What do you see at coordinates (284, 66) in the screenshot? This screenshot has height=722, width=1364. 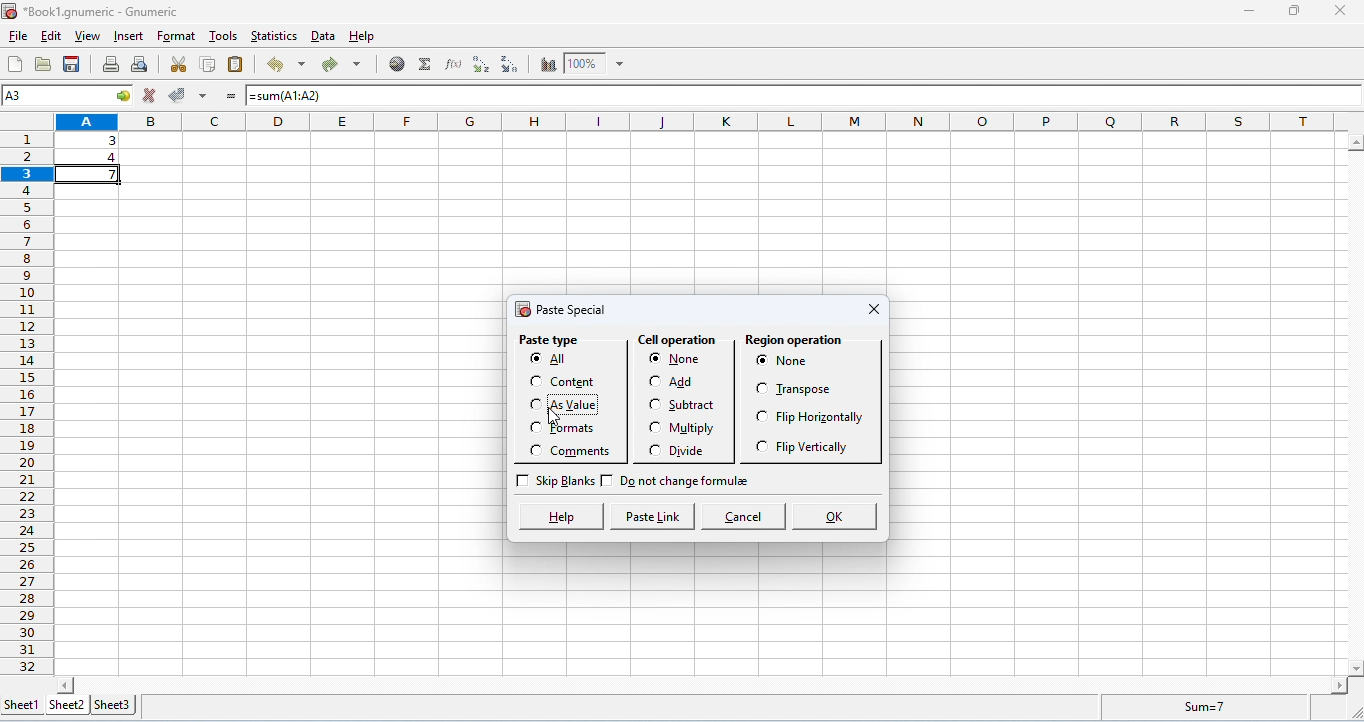 I see `undo` at bounding box center [284, 66].